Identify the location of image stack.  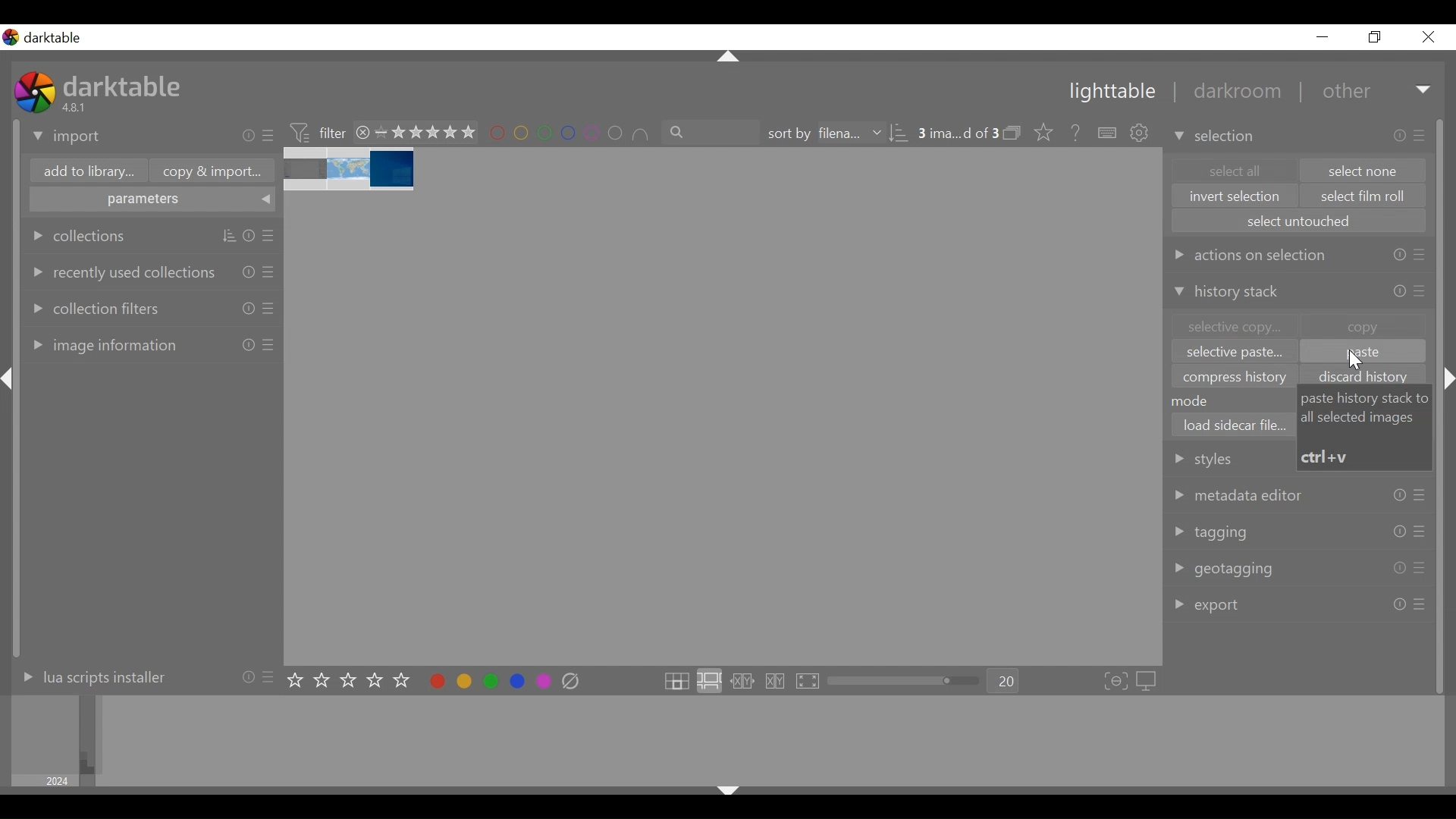
(351, 170).